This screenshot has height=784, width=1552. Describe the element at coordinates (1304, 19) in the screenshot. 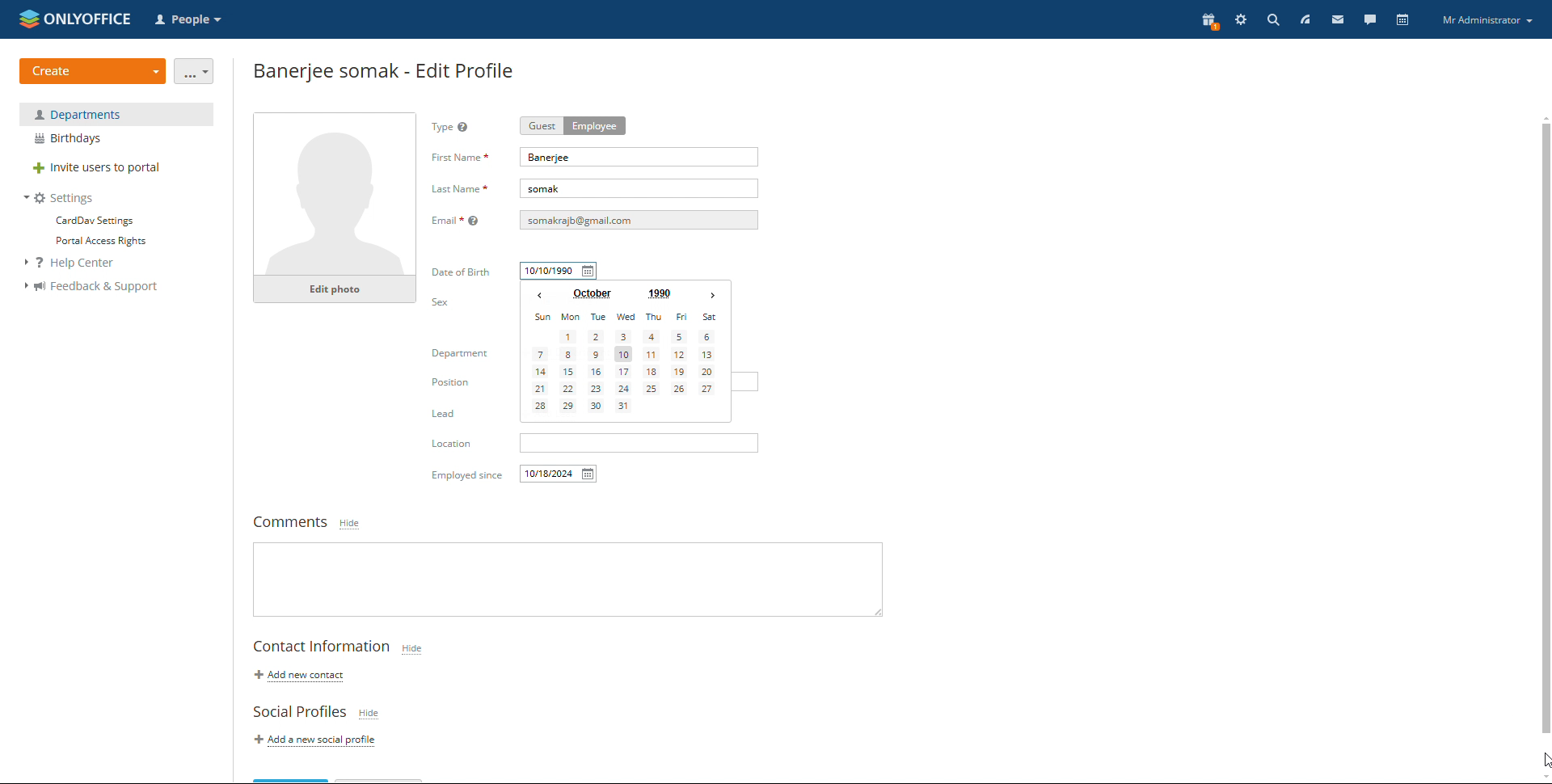

I see `feed` at that location.